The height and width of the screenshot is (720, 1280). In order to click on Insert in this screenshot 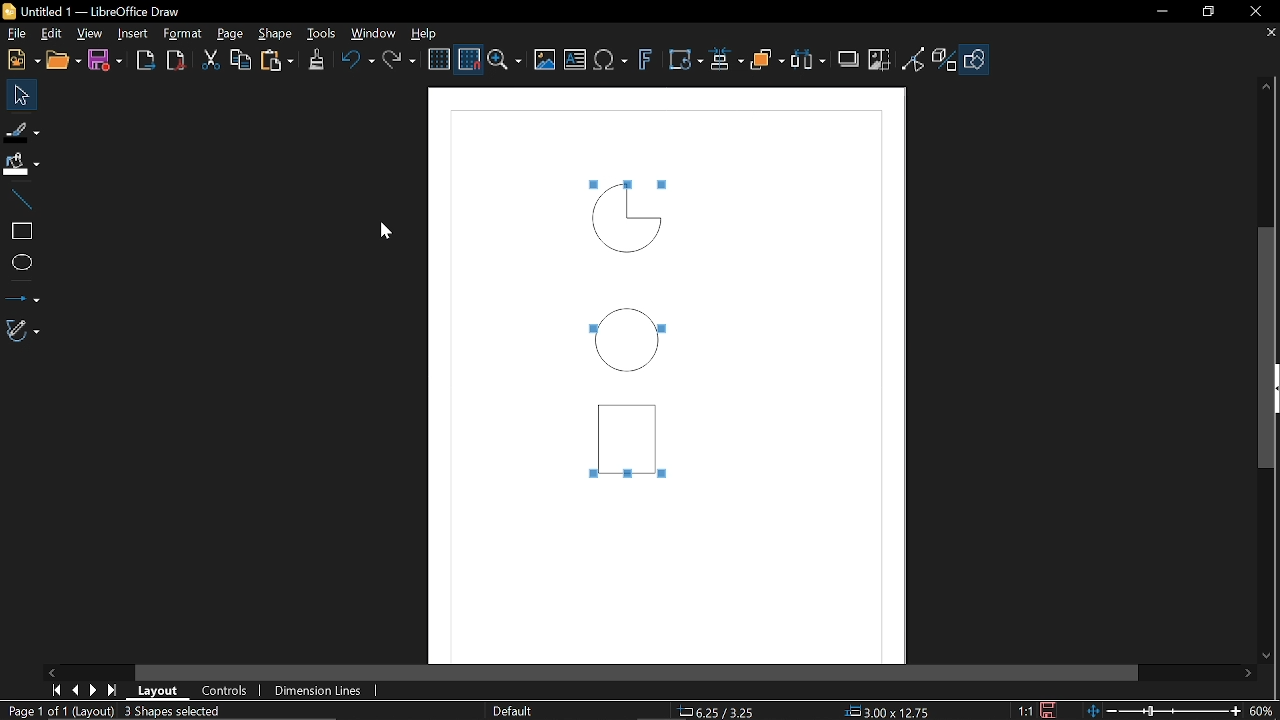, I will do `click(133, 32)`.